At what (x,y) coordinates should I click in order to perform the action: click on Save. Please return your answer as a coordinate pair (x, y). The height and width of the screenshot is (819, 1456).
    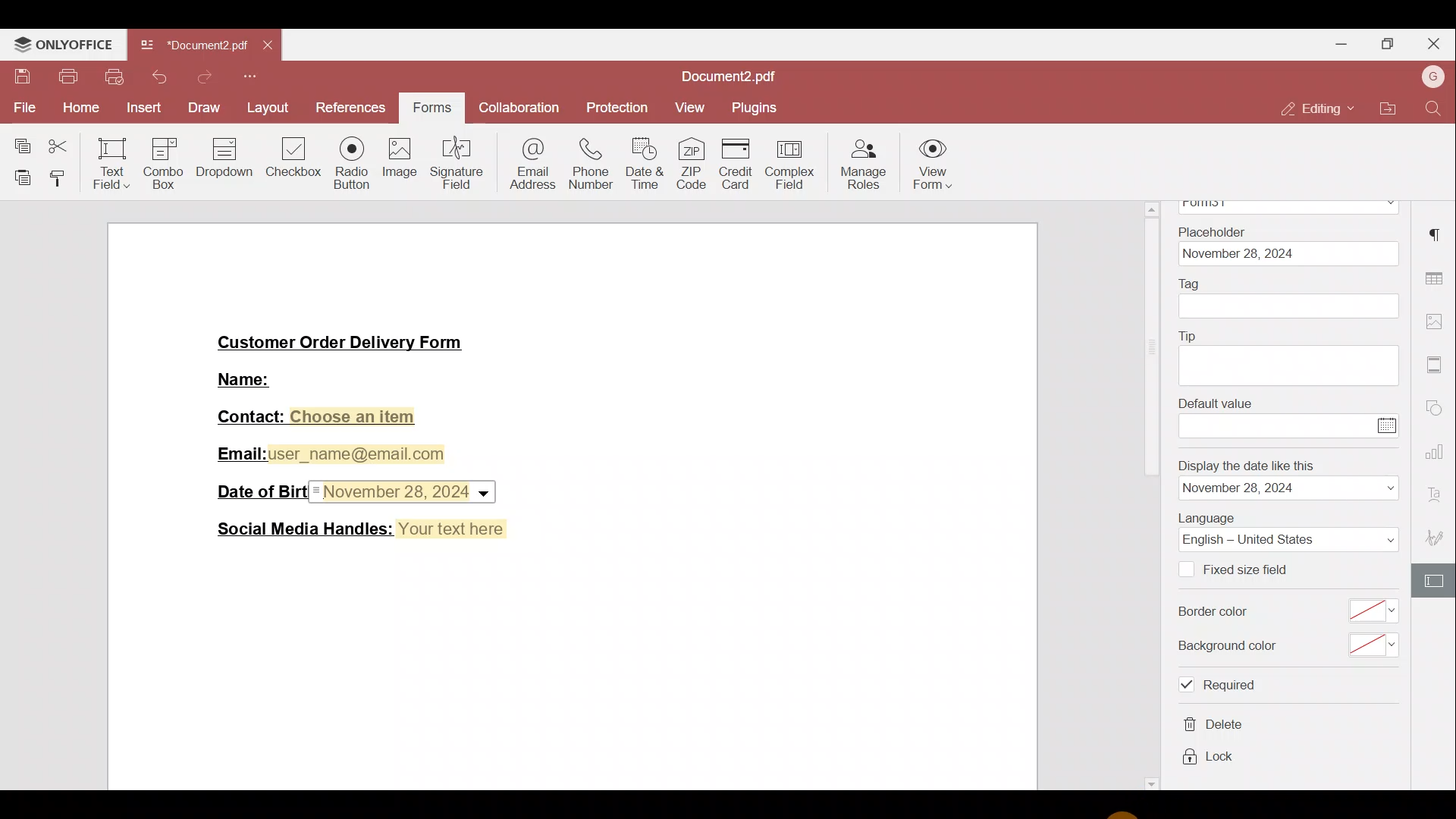
    Looking at the image, I should click on (18, 74).